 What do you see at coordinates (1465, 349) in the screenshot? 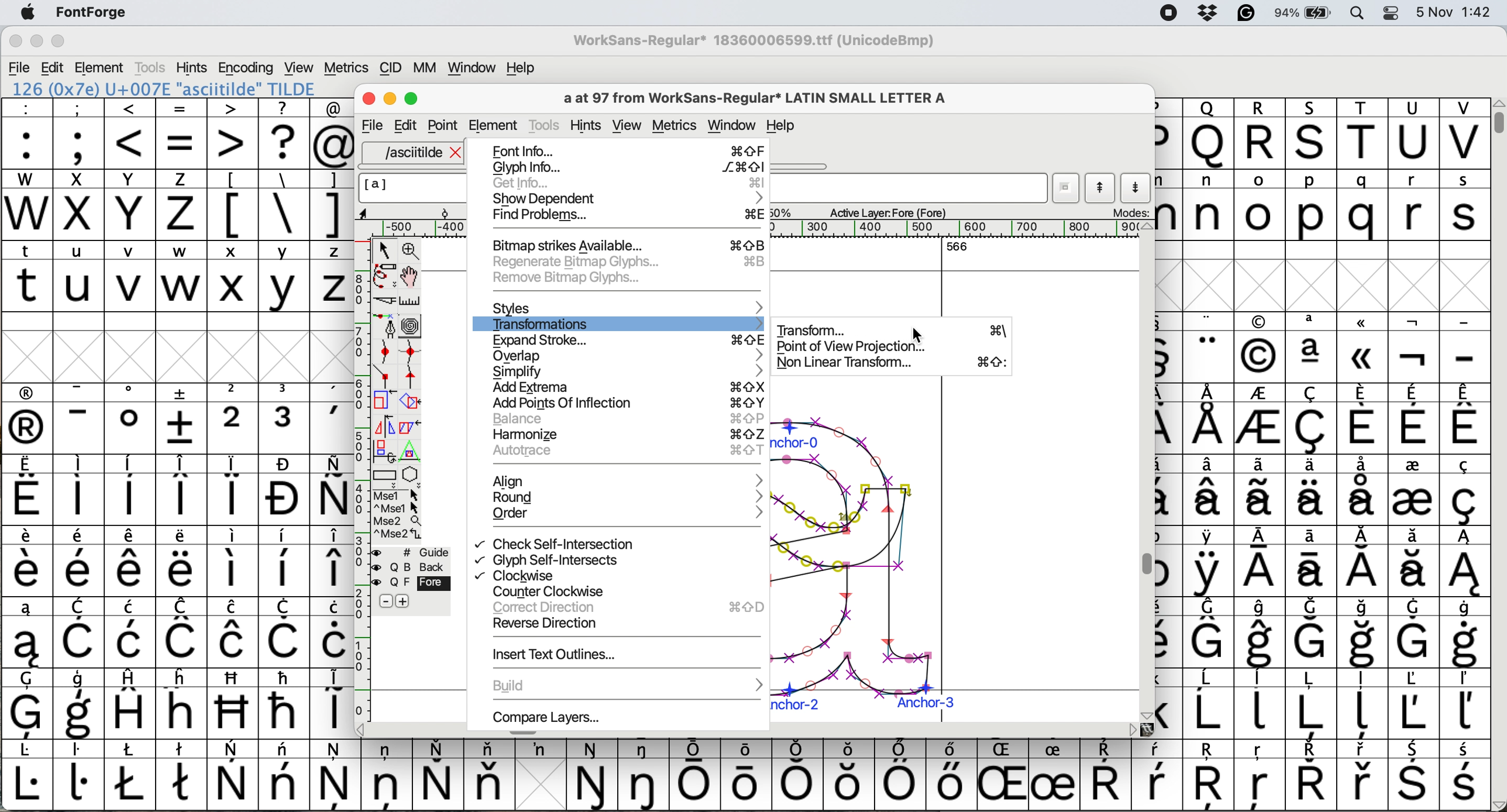
I see `-` at bounding box center [1465, 349].